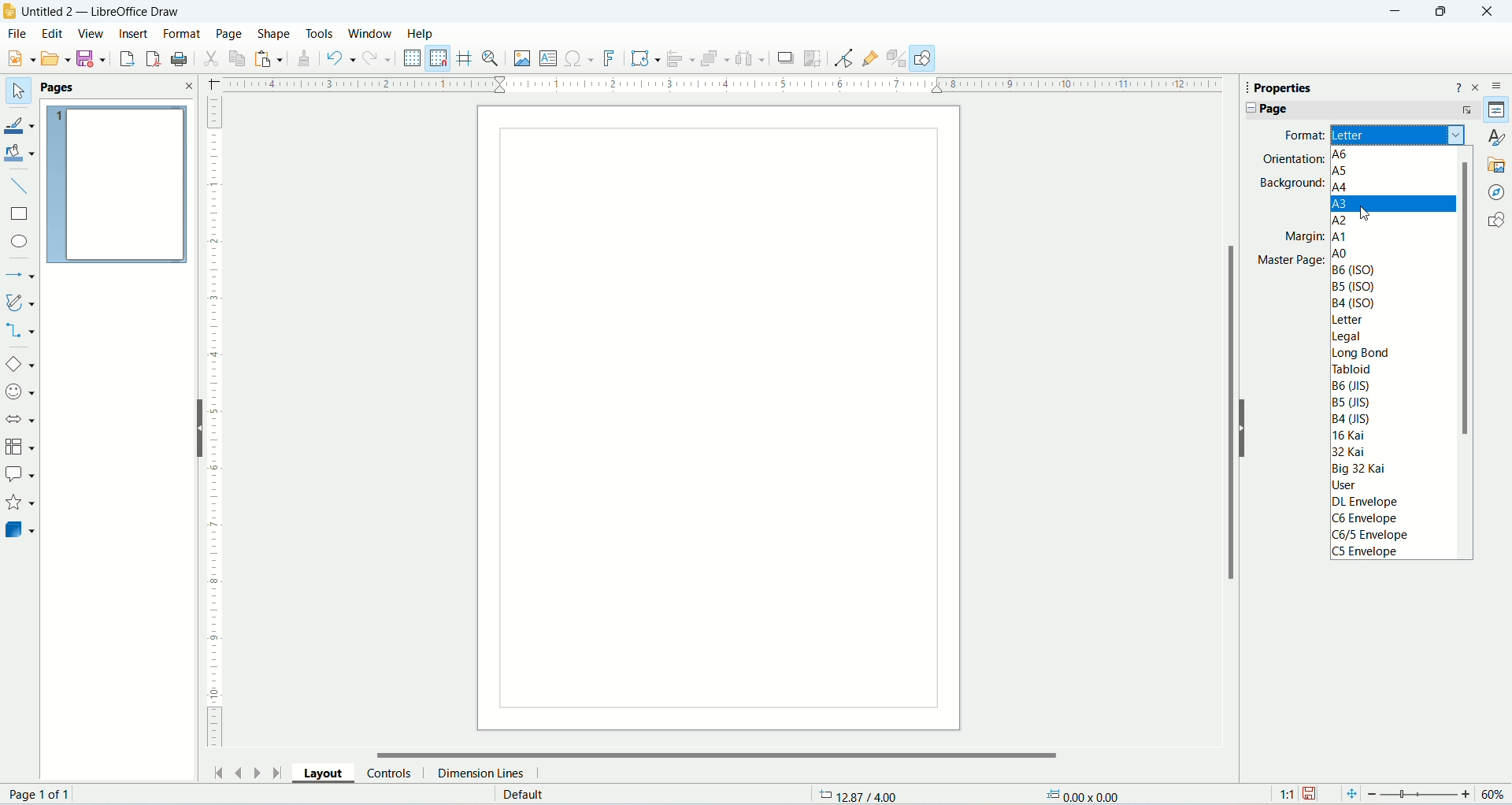 Image resolution: width=1512 pixels, height=805 pixels. I want to click on redo, so click(379, 58).